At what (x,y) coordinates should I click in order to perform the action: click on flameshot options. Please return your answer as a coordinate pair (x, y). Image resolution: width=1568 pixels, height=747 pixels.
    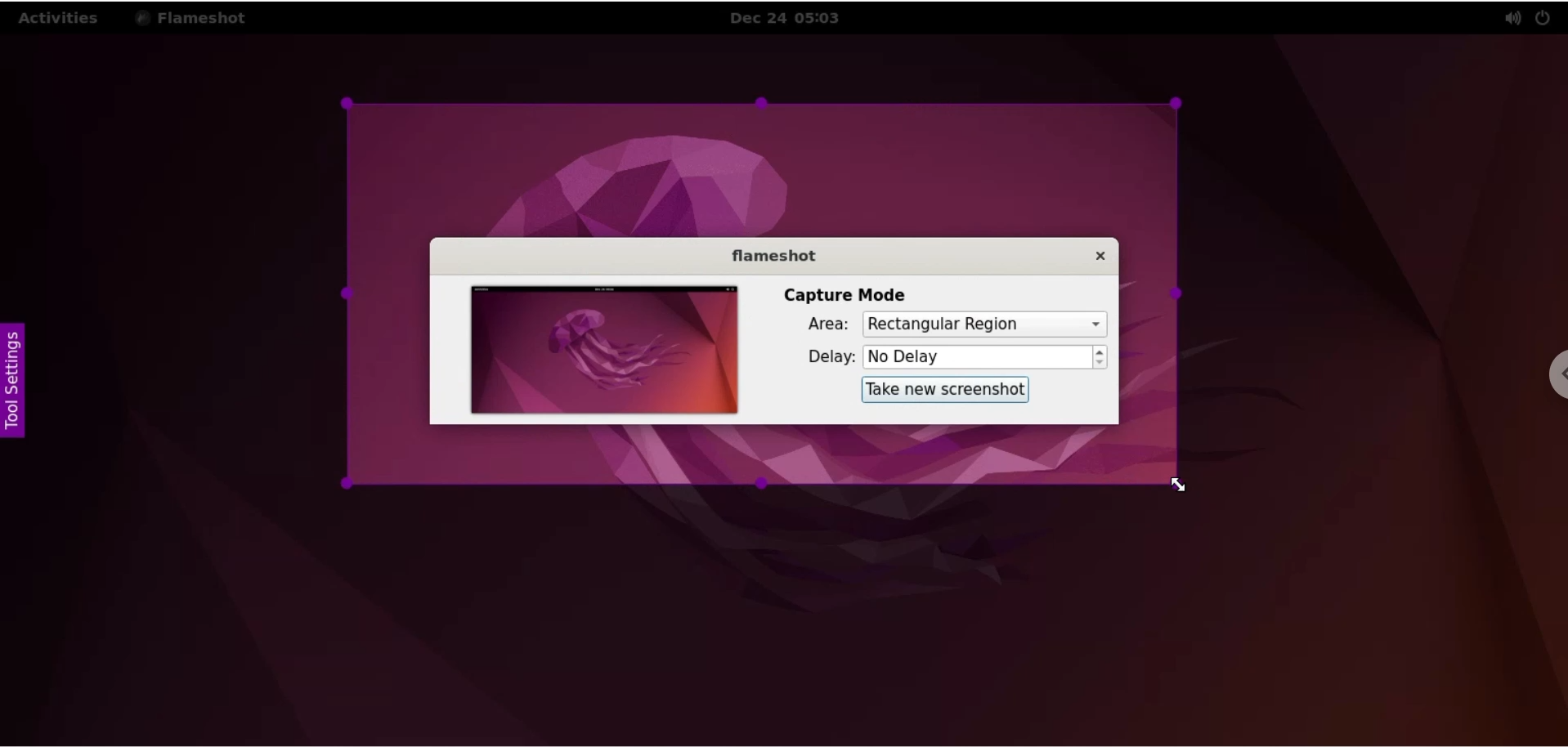
    Looking at the image, I should click on (195, 17).